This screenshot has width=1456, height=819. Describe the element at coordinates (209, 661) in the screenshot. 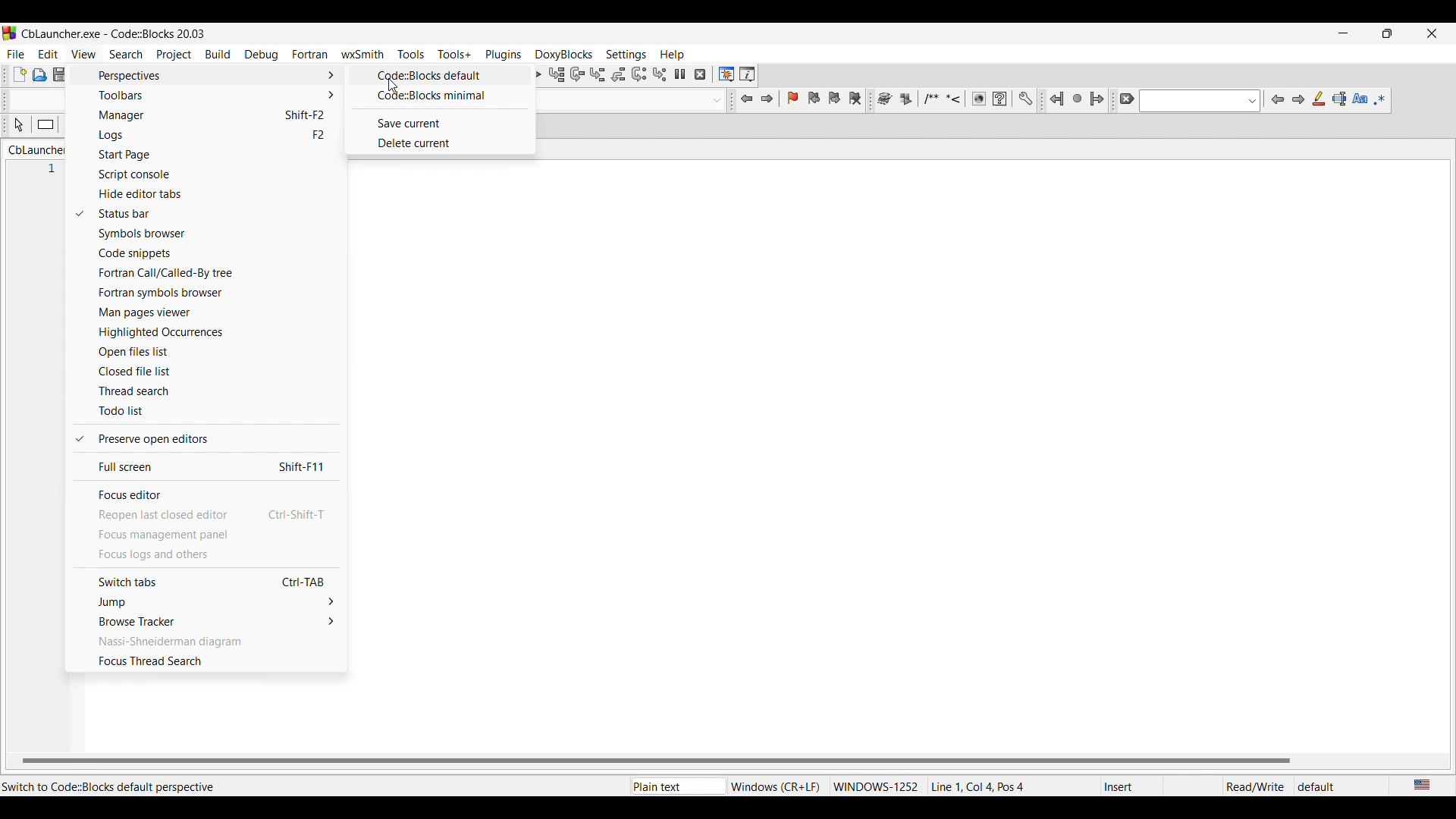

I see `Focus thread search` at that location.